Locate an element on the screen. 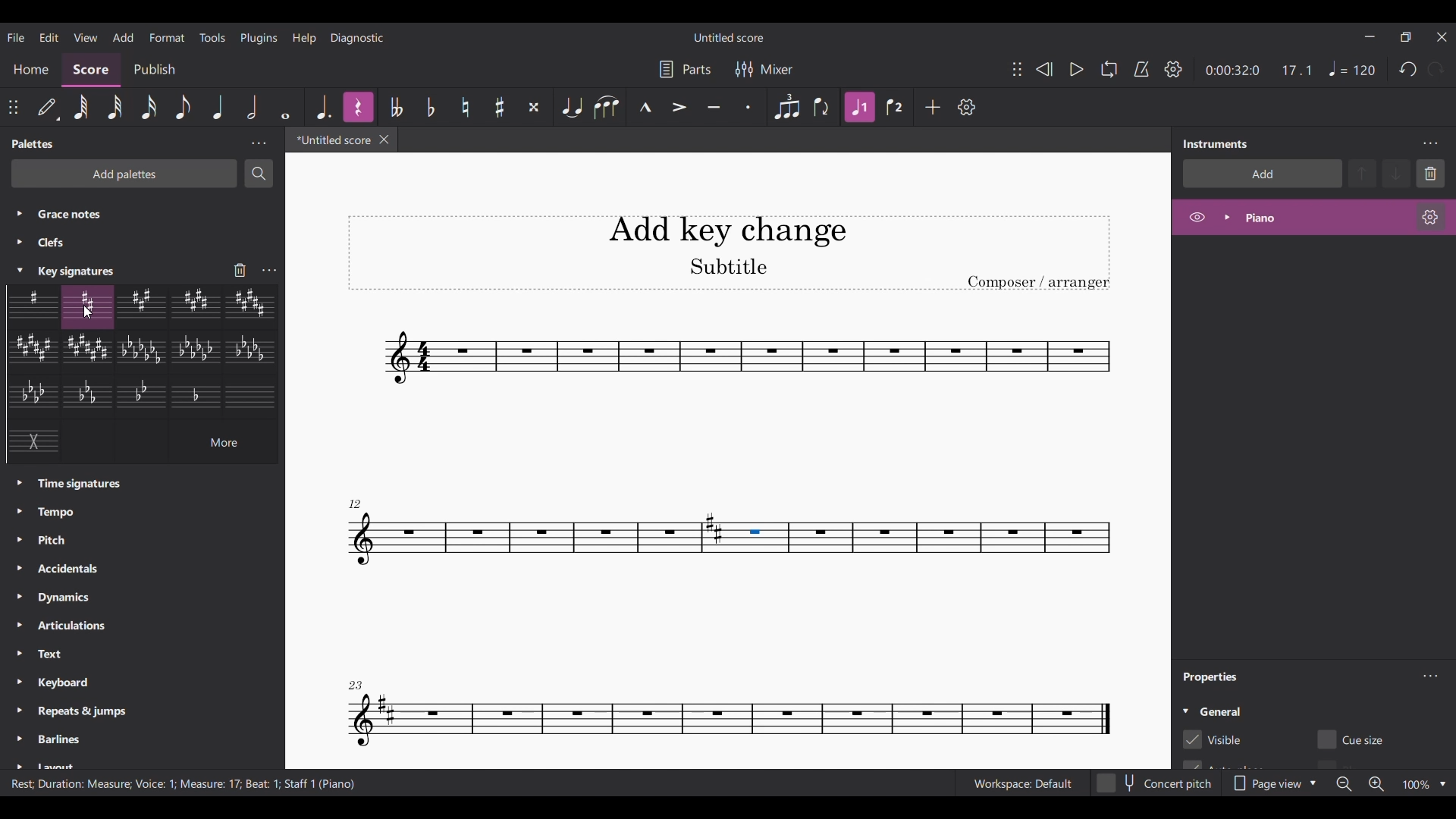 This screenshot has height=819, width=1456. Panel title is located at coordinates (1213, 677).